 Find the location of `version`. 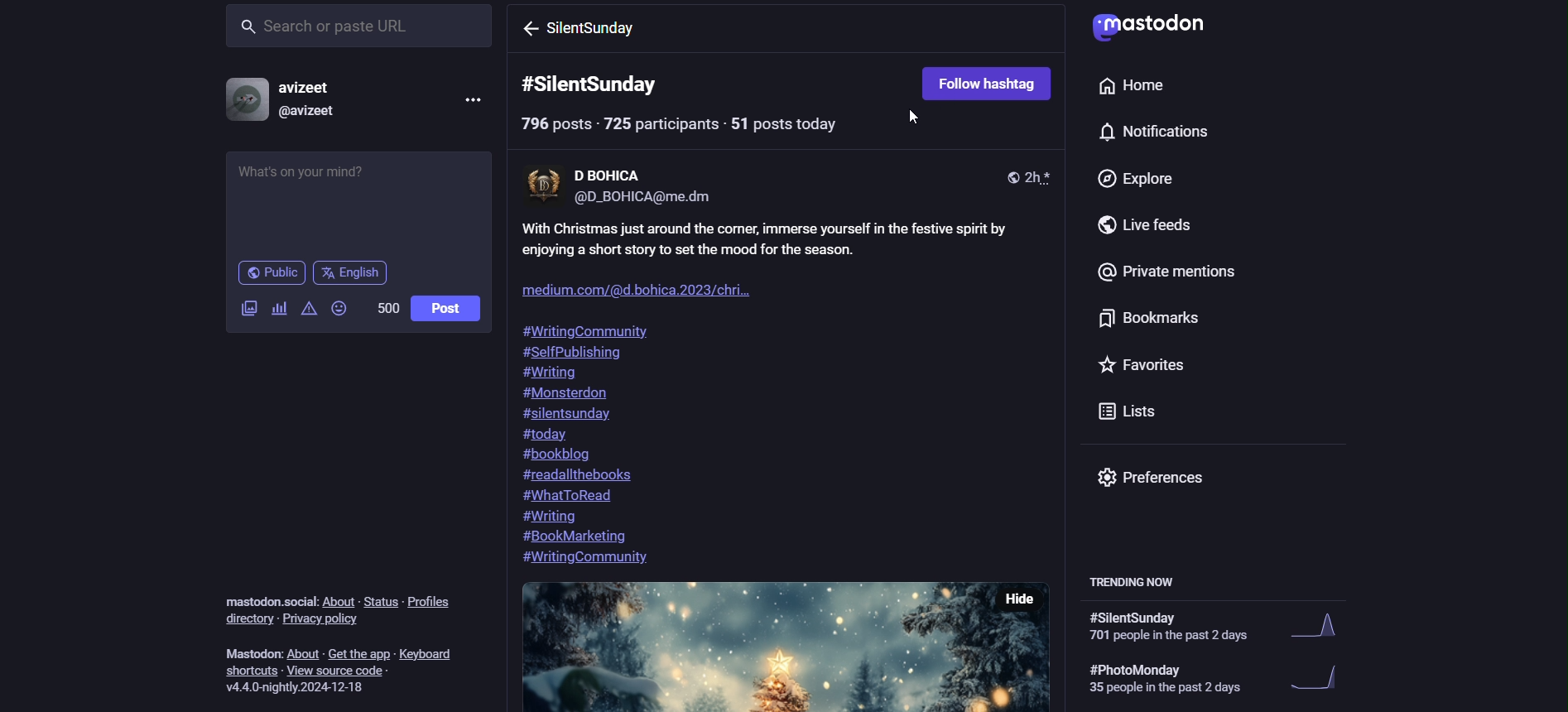

version is located at coordinates (300, 686).